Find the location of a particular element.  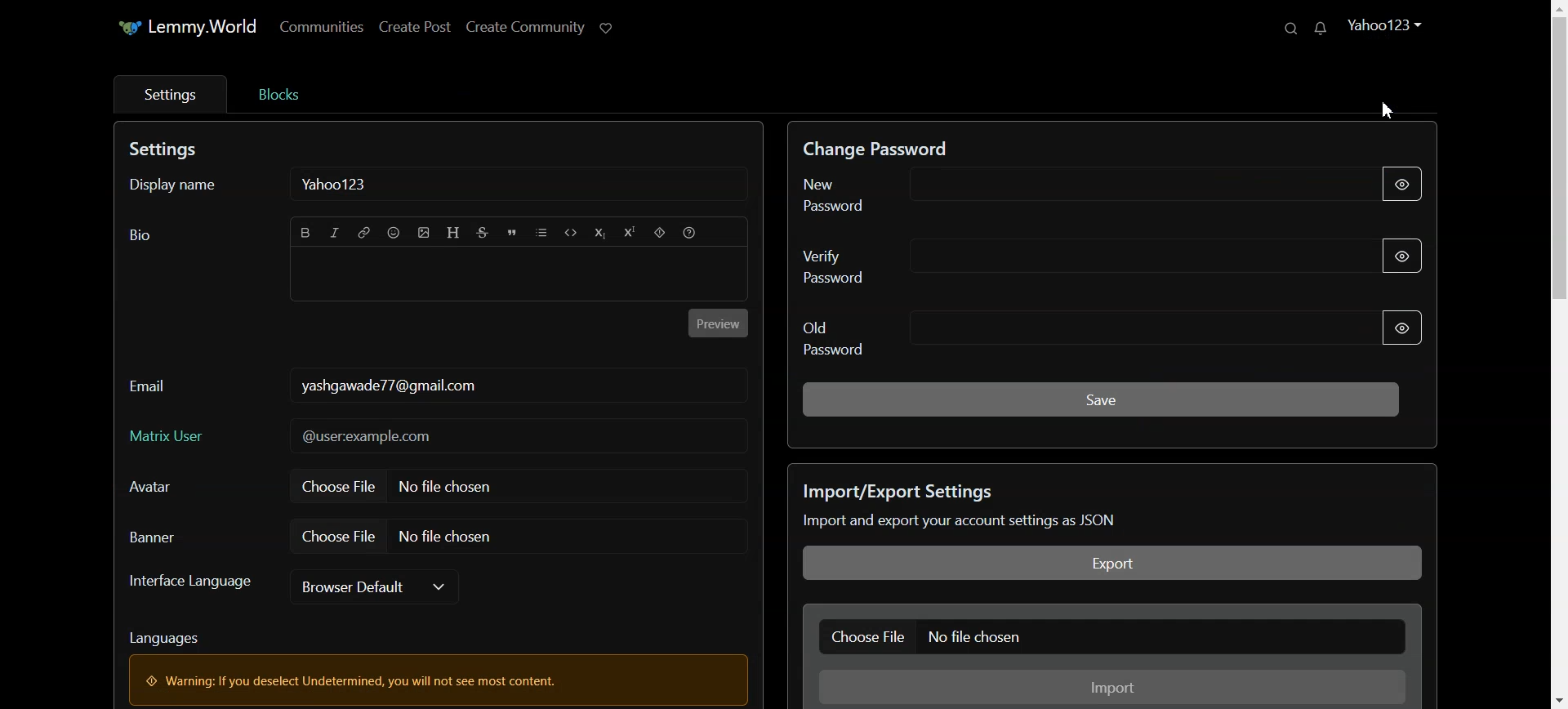

Preview is located at coordinates (719, 323).